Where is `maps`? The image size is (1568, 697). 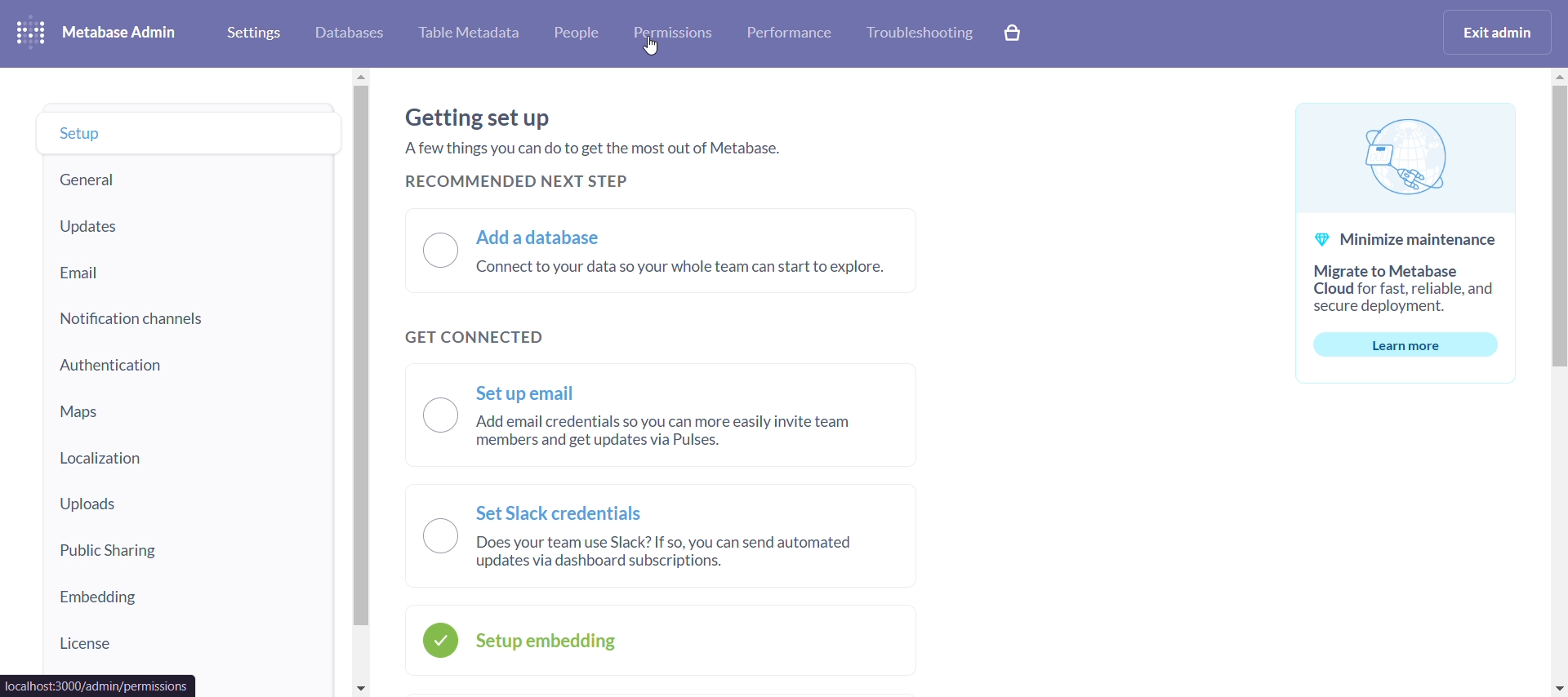
maps is located at coordinates (187, 411).